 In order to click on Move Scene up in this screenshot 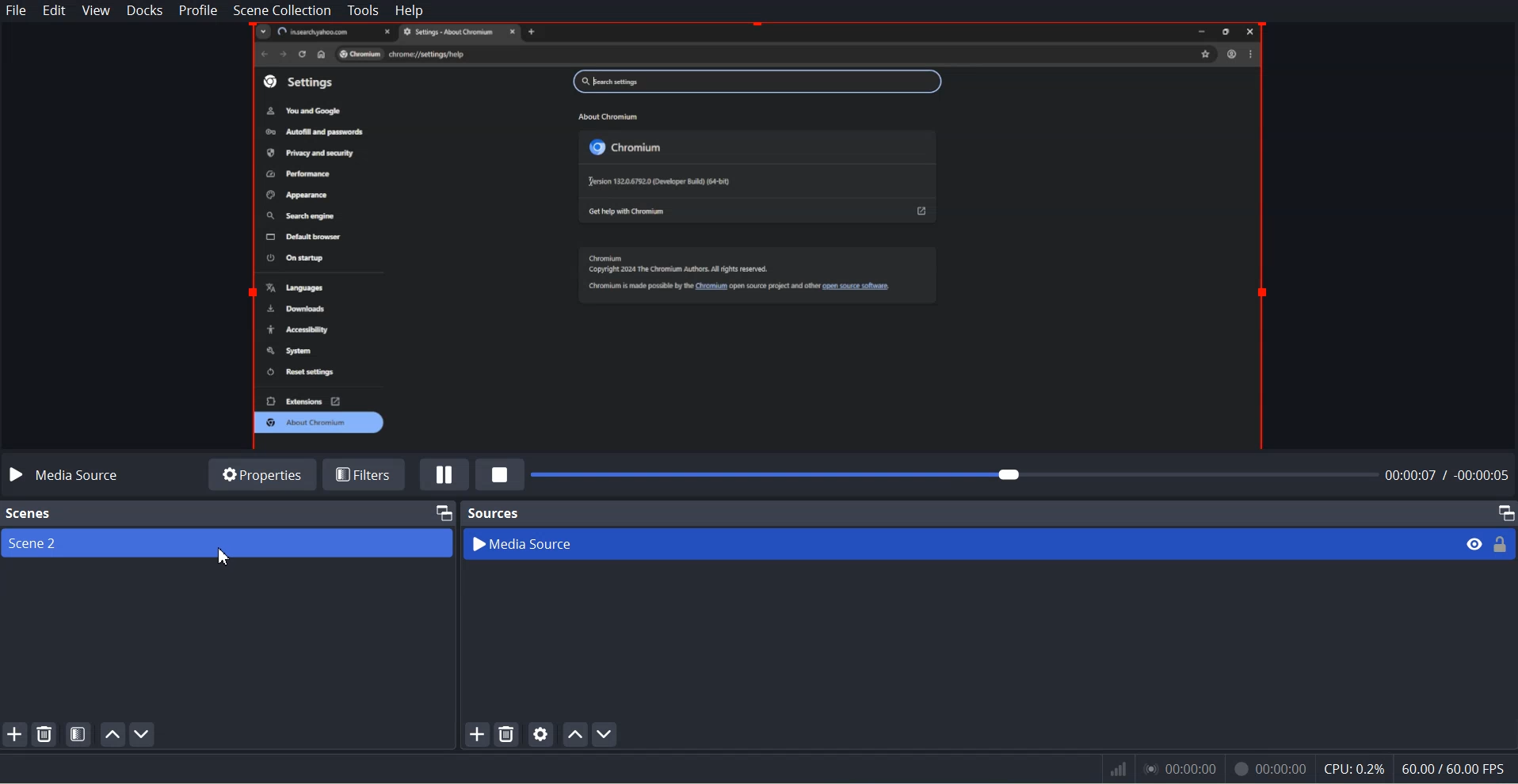, I will do `click(111, 734)`.